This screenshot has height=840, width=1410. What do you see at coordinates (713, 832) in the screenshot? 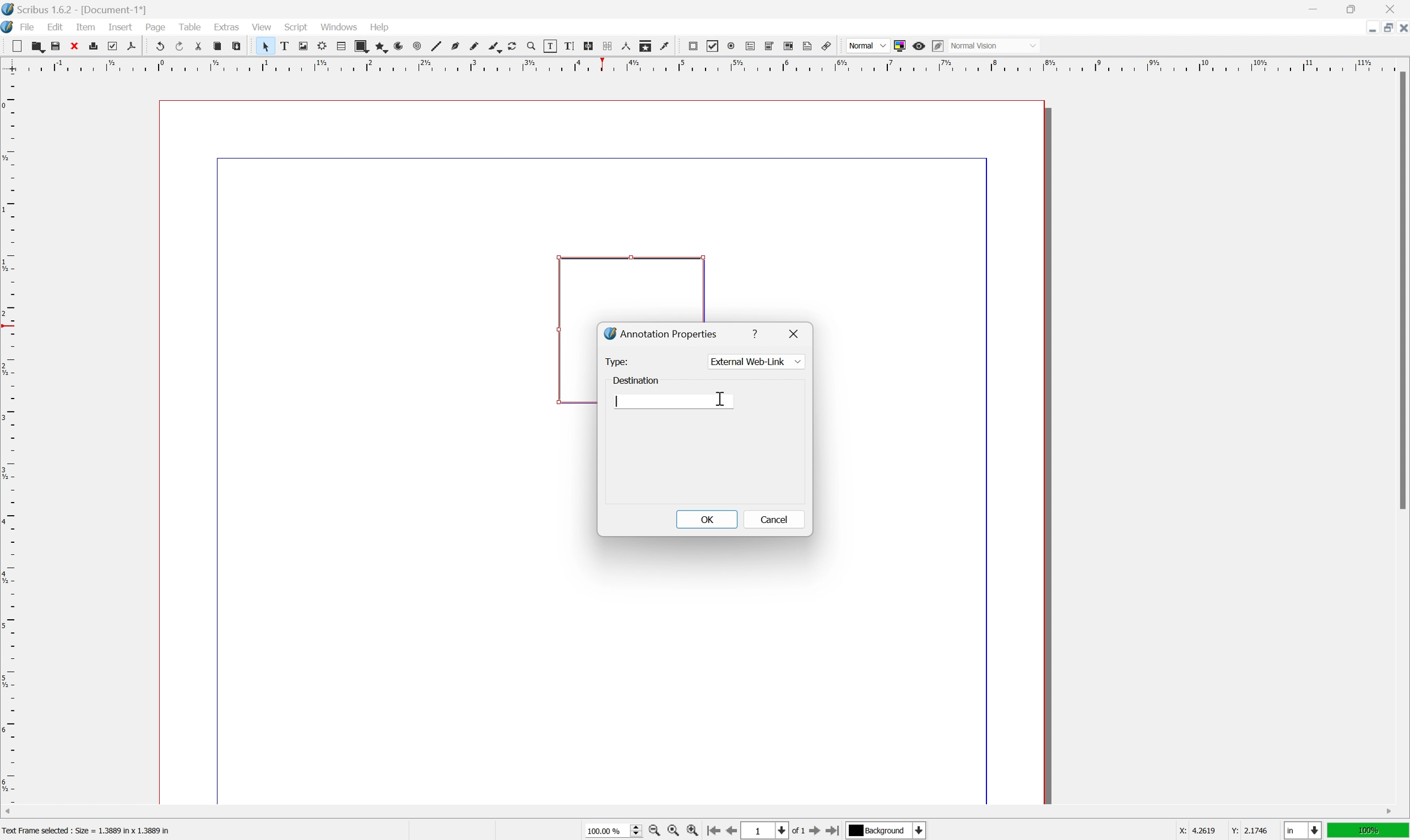
I see `go to first page` at bounding box center [713, 832].